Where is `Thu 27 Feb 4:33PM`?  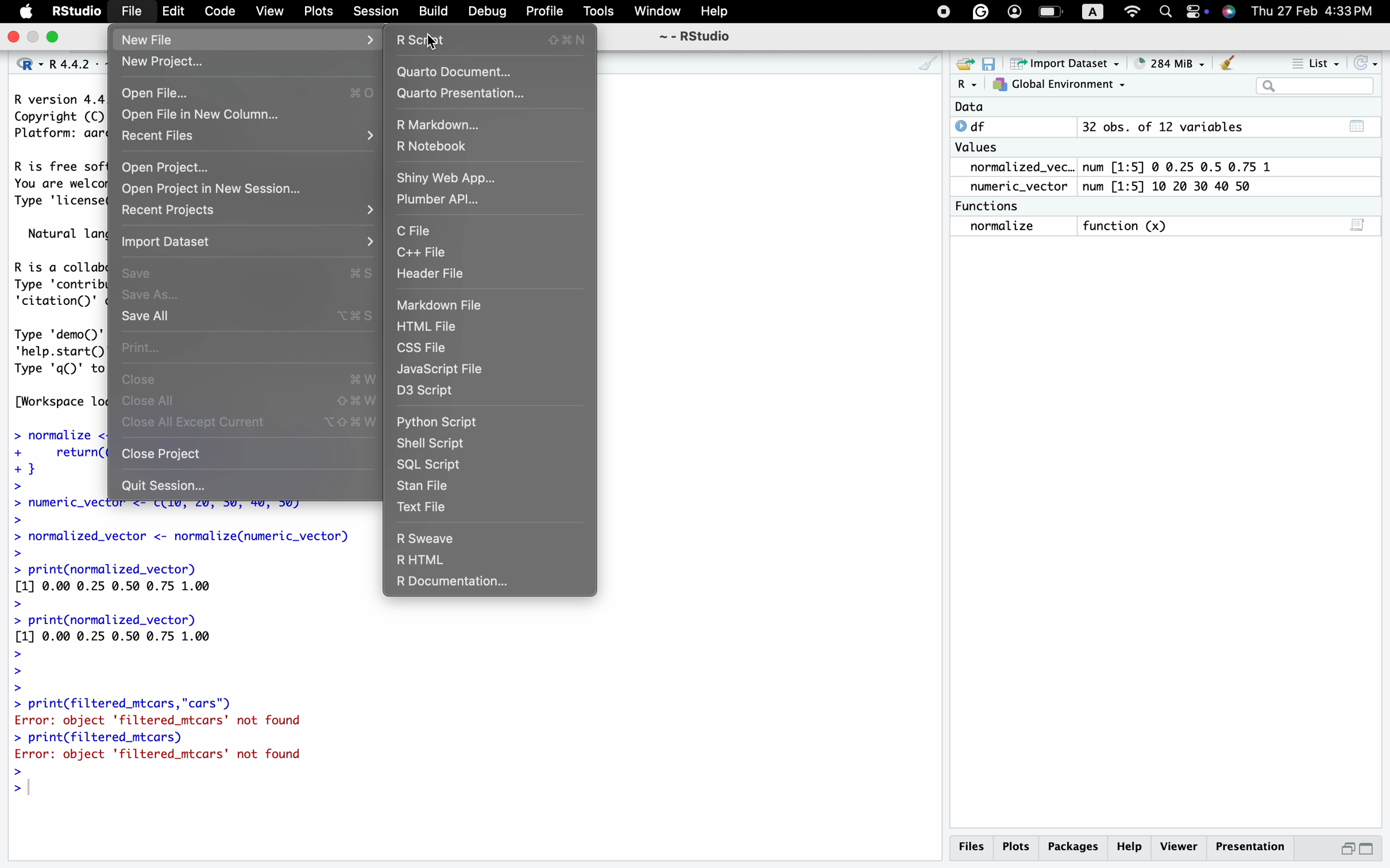
Thu 27 Feb 4:33PM is located at coordinates (1313, 12).